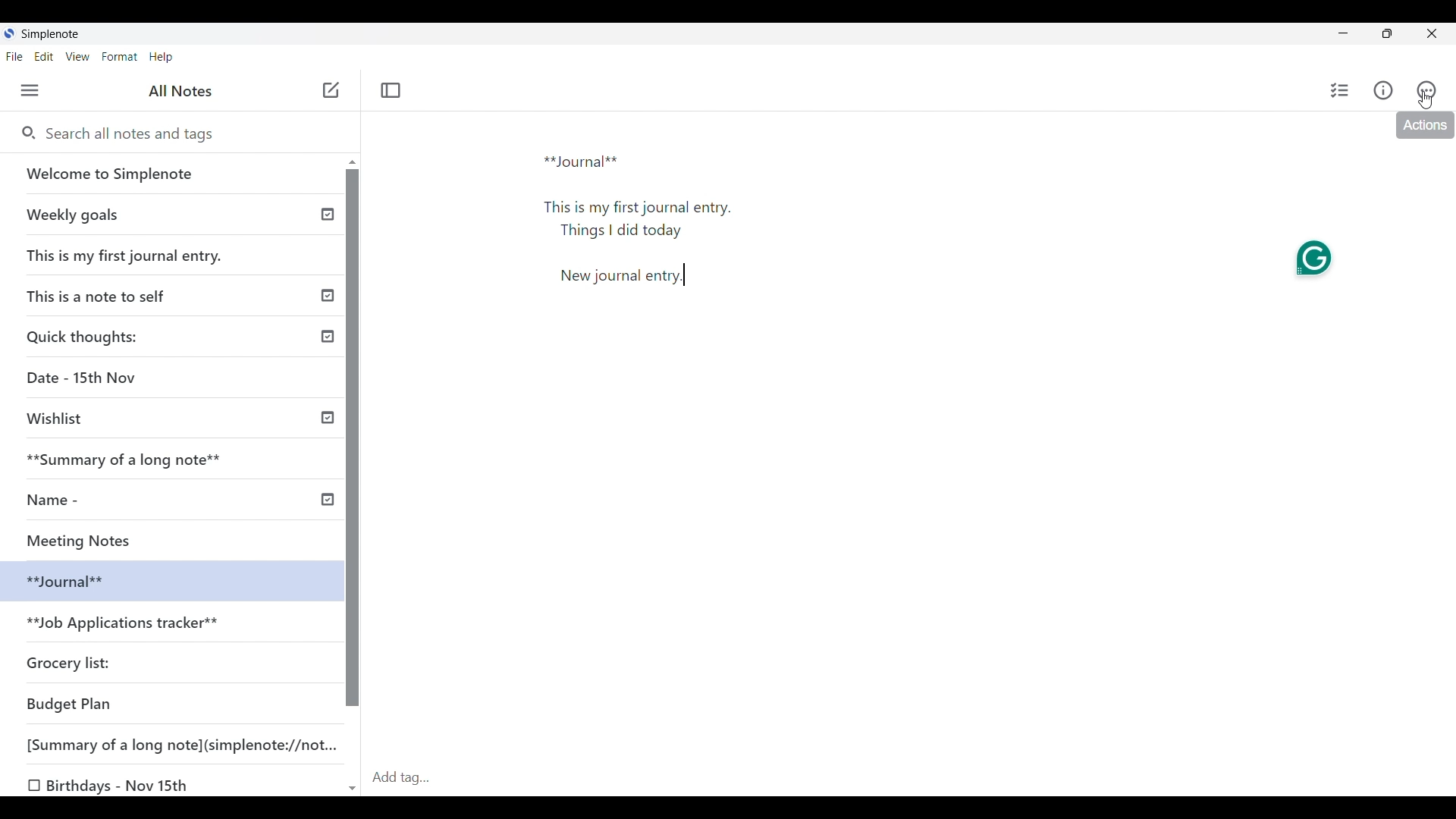  Describe the element at coordinates (85, 336) in the screenshot. I see `Quick thoughts:` at that location.